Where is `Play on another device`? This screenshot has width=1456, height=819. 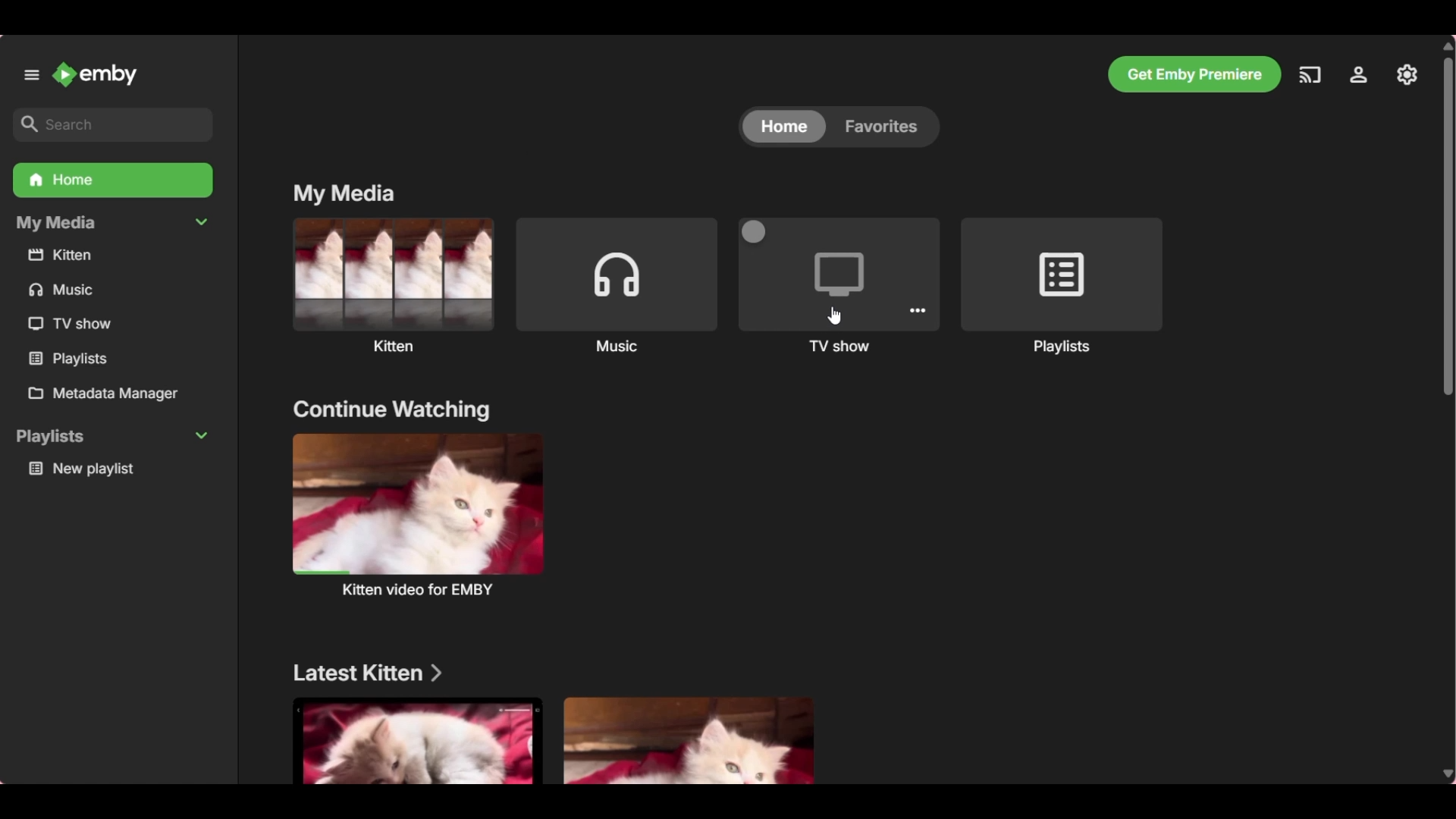
Play on another device is located at coordinates (1310, 75).